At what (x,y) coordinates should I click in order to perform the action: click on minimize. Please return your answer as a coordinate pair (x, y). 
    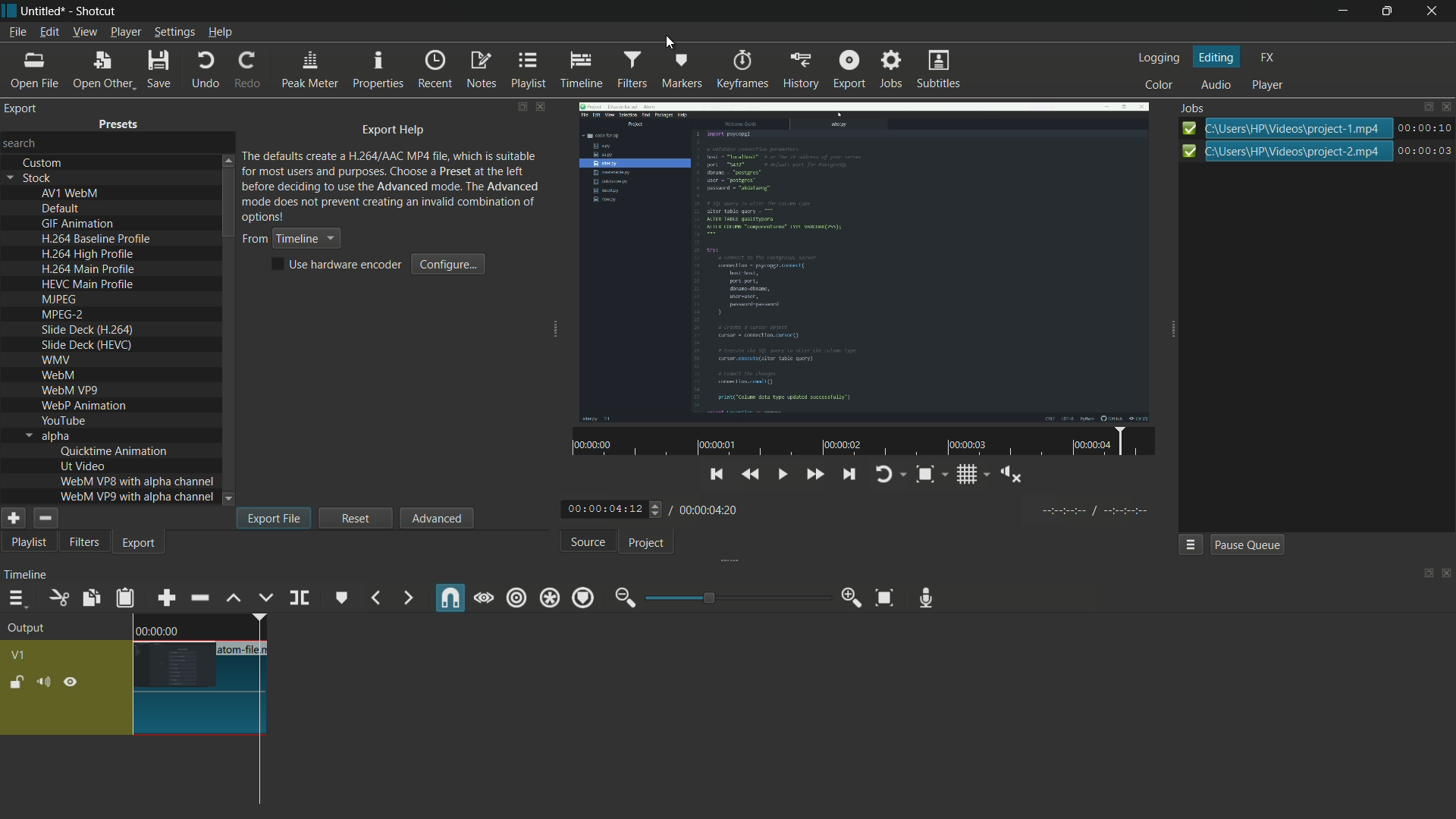
    Looking at the image, I should click on (1341, 11).